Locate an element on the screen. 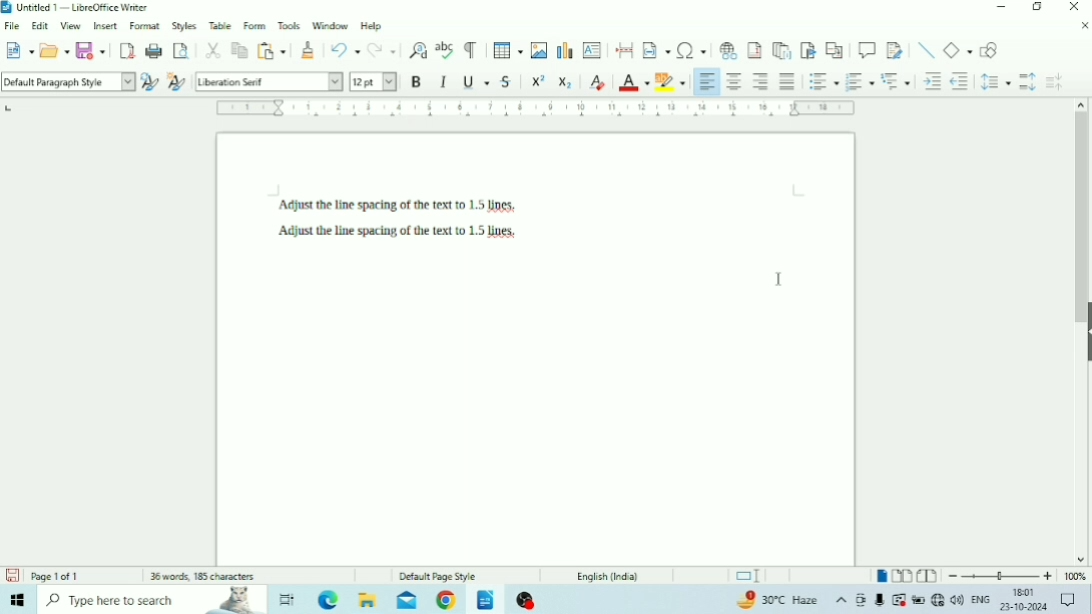 The image size is (1092, 614). Basic Shapes is located at coordinates (957, 49).